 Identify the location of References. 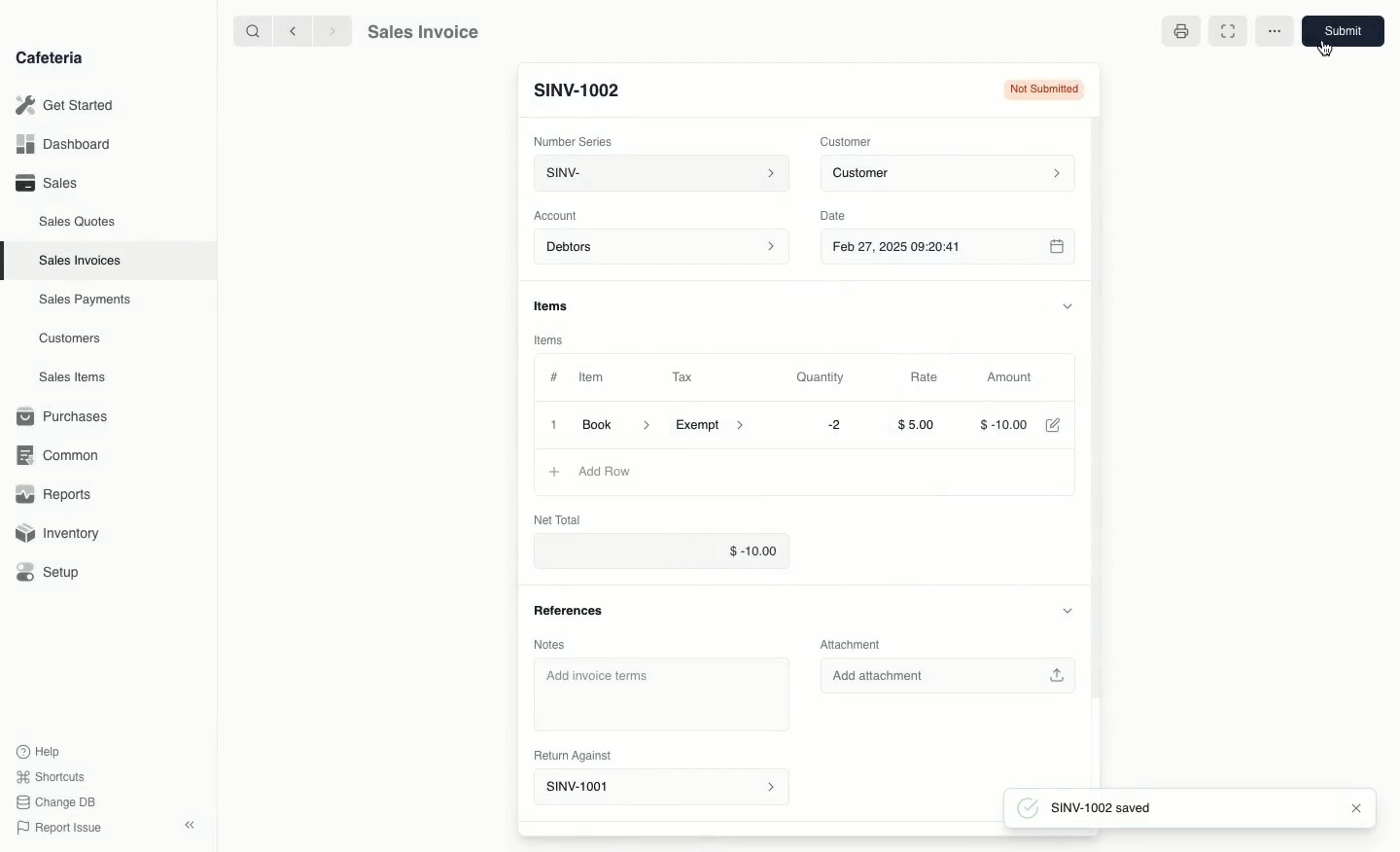
(573, 611).